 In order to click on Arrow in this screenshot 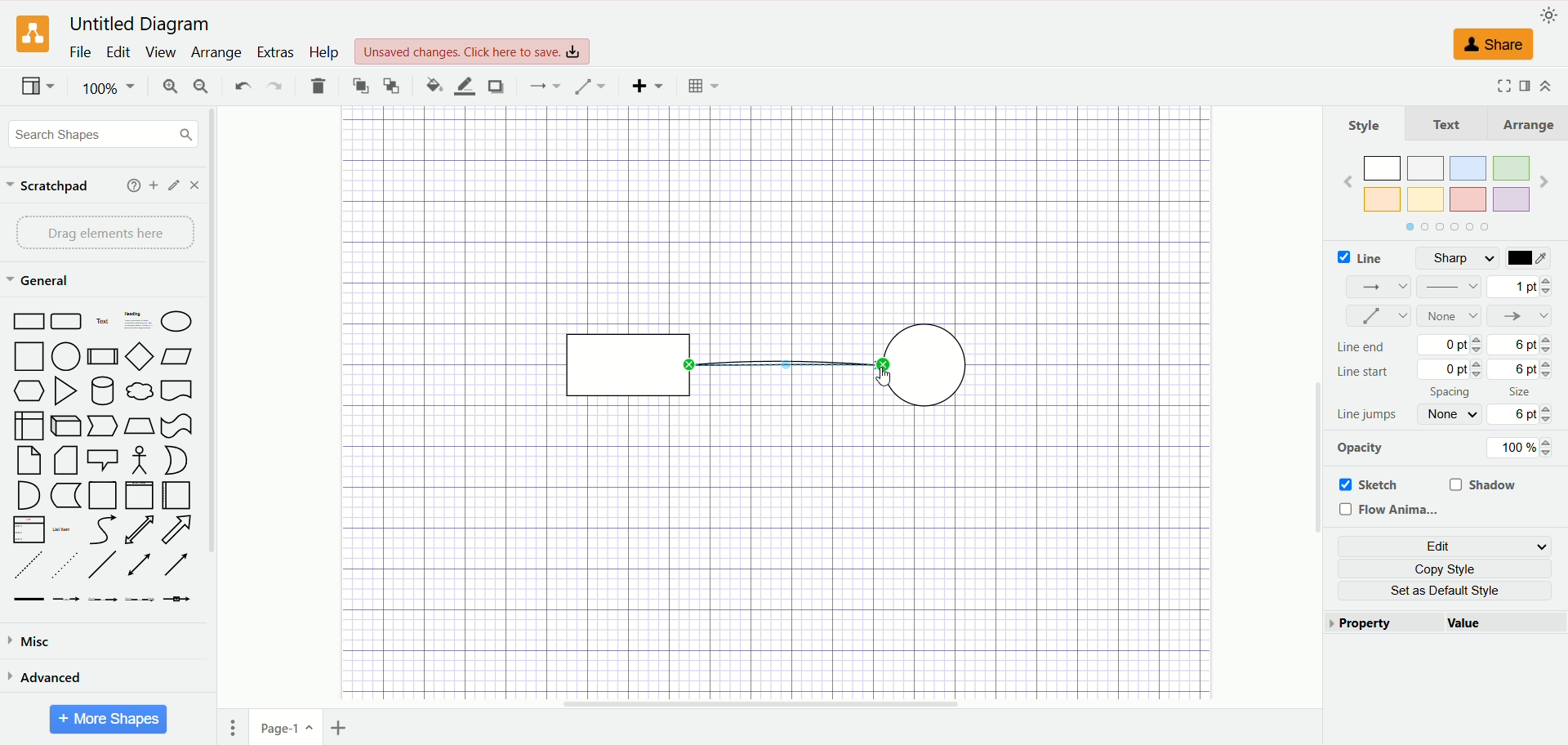, I will do `click(182, 530)`.